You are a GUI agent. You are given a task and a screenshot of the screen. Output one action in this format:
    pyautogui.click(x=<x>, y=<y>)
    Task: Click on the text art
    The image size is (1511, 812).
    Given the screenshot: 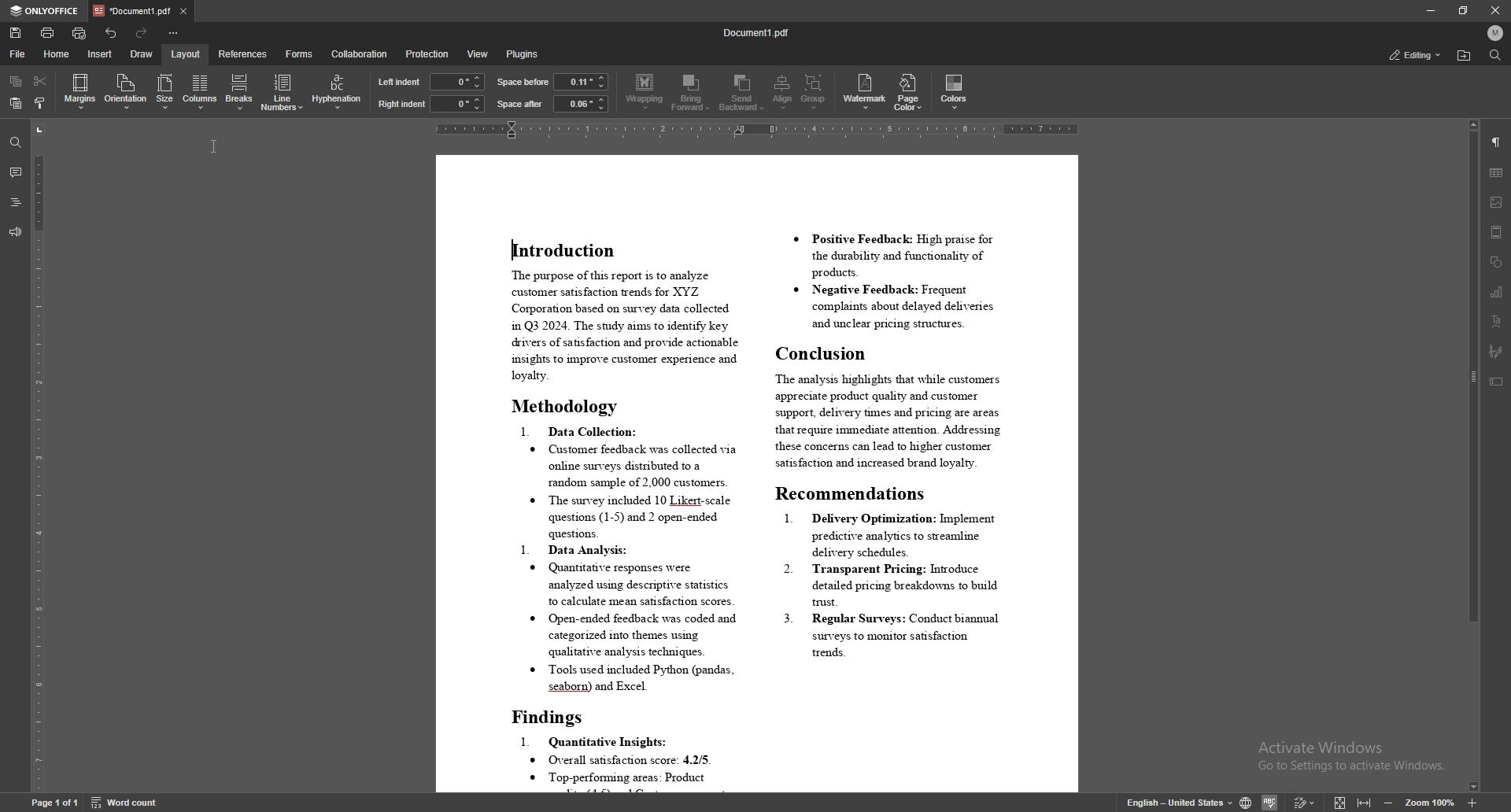 What is the action you would take?
    pyautogui.click(x=1497, y=322)
    